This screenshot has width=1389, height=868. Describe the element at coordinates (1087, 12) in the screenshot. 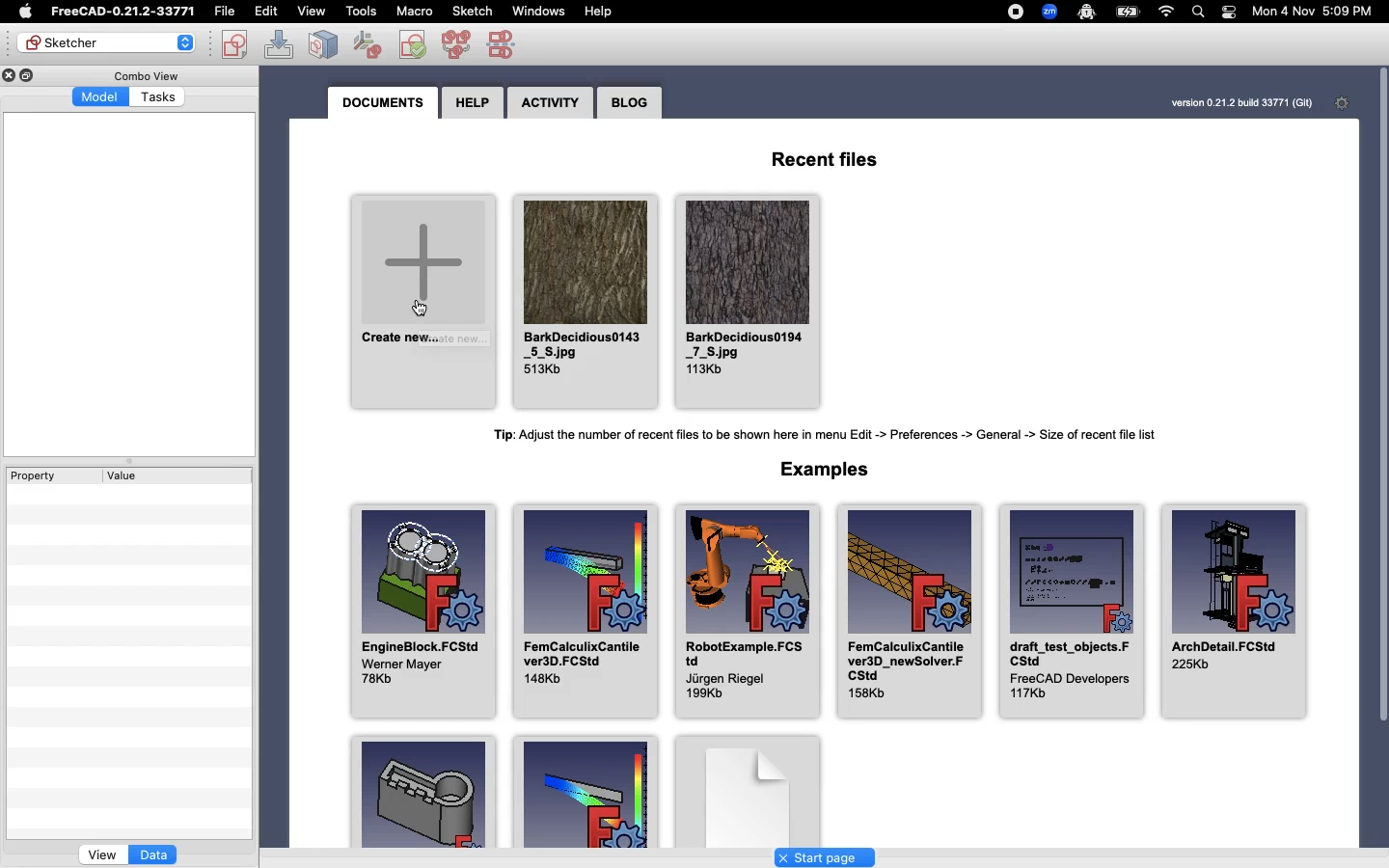

I see `Robot logo` at that location.